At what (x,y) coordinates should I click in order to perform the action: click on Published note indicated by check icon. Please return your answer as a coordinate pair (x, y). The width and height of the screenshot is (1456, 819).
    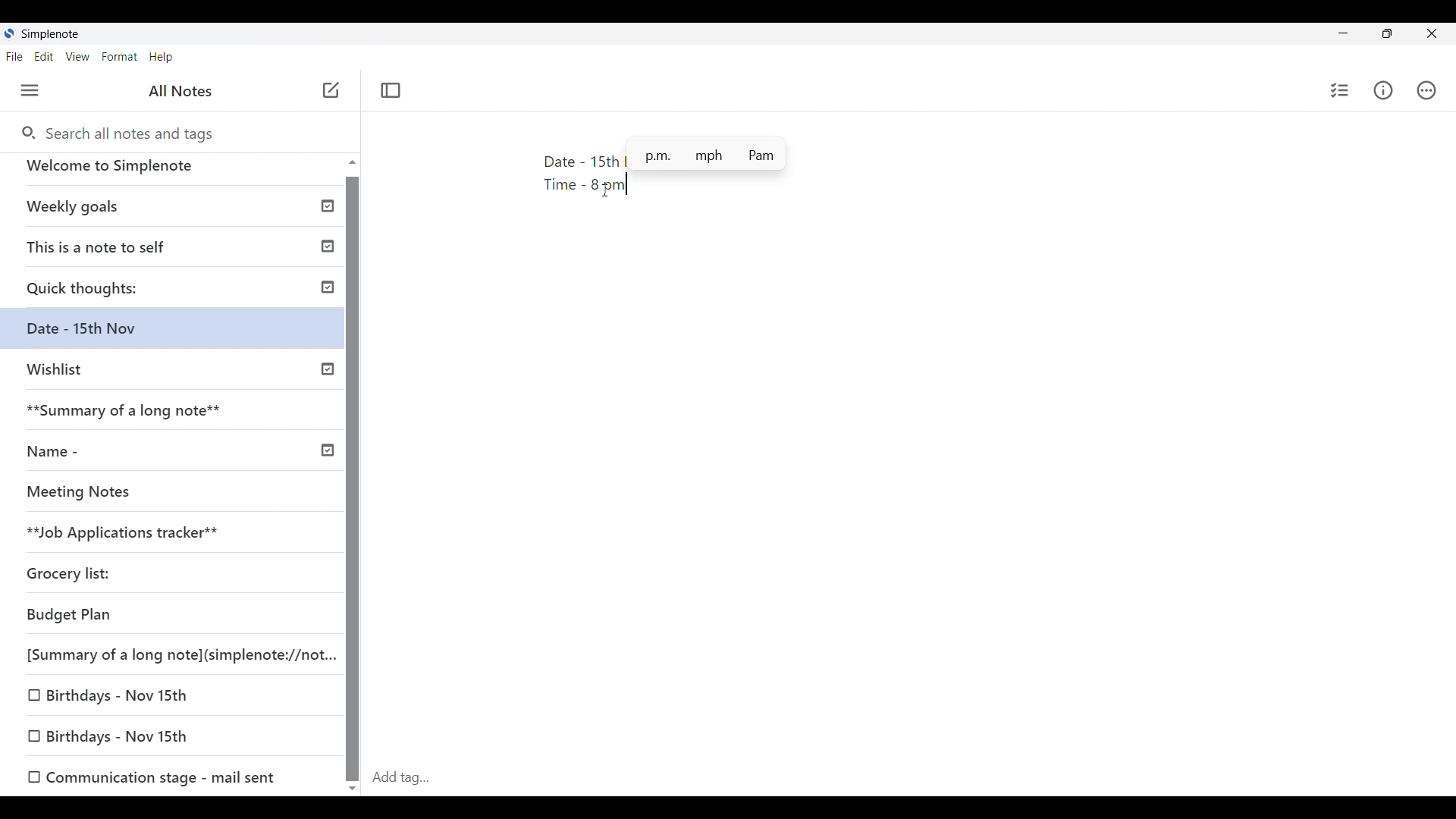
    Looking at the image, I should click on (174, 212).